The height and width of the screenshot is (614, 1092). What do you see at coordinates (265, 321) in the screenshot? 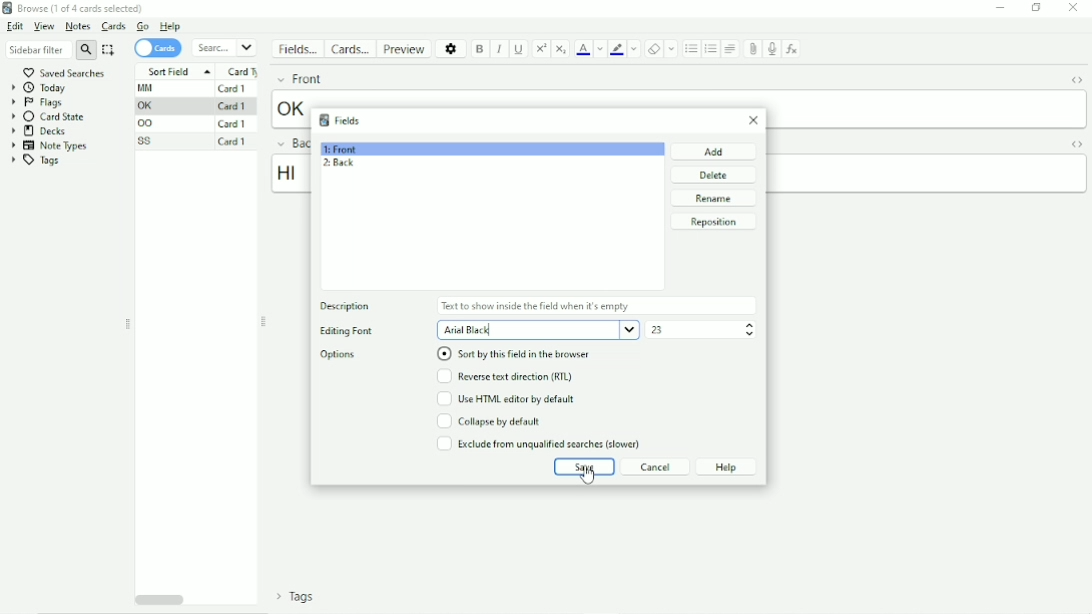
I see `Resize` at bounding box center [265, 321].